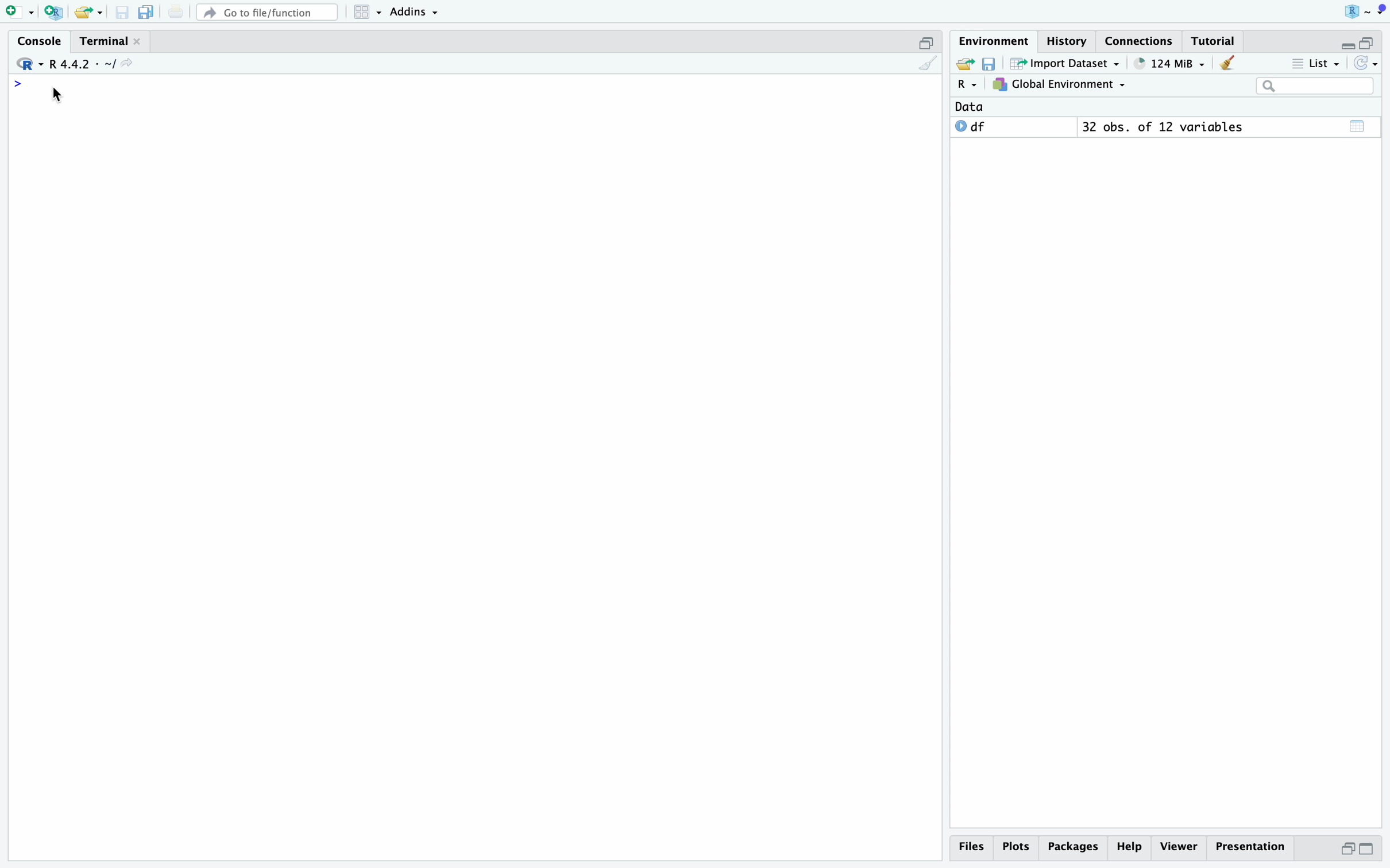 This screenshot has height=868, width=1390. Describe the element at coordinates (1074, 849) in the screenshot. I see `packages` at that location.